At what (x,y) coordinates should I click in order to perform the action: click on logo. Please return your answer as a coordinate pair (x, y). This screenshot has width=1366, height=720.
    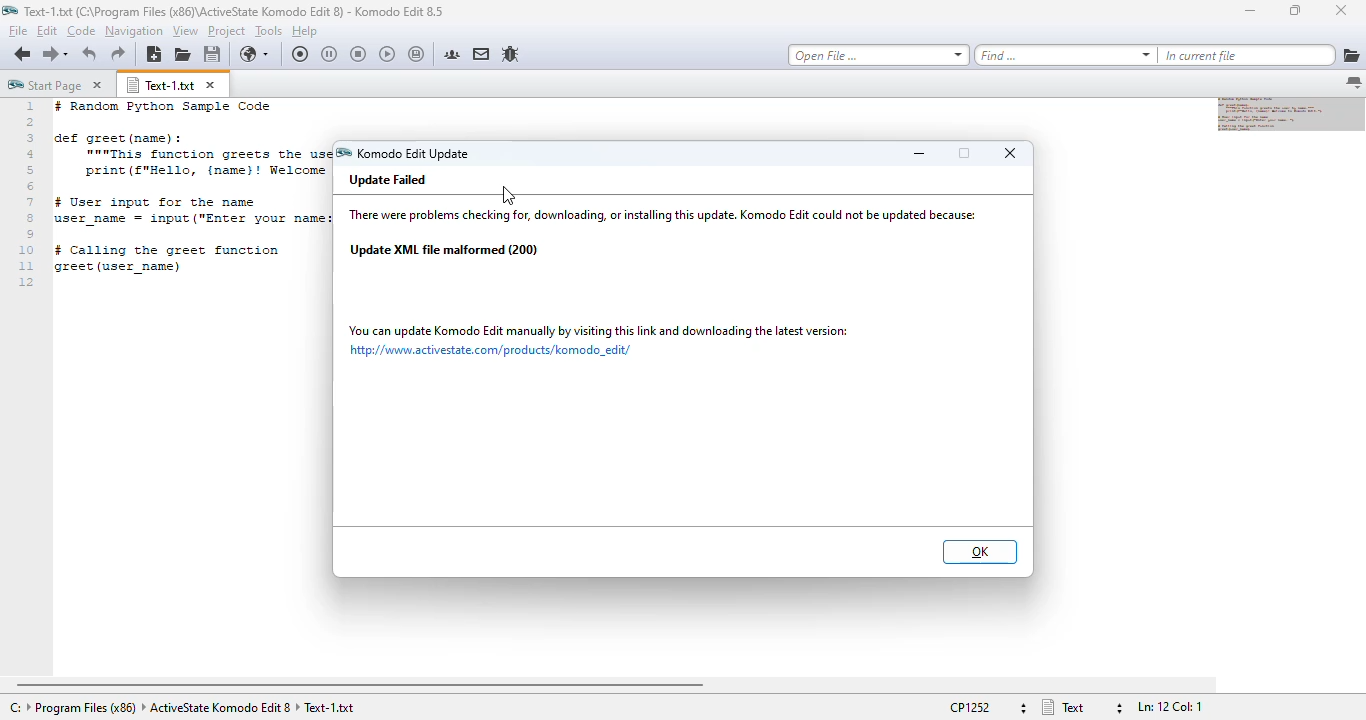
    Looking at the image, I should click on (10, 10).